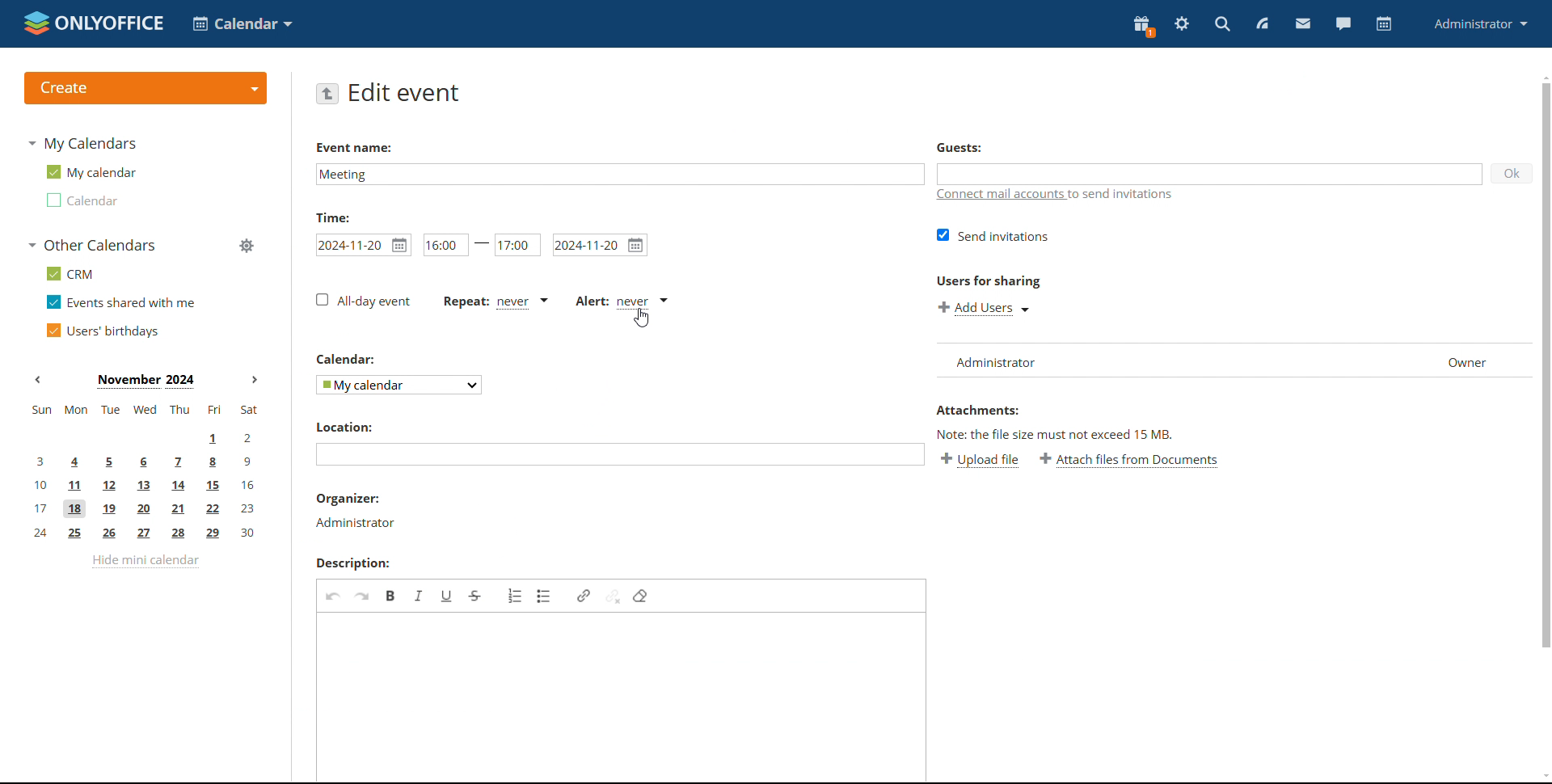 Image resolution: width=1552 pixels, height=784 pixels. What do you see at coordinates (1209, 174) in the screenshot?
I see `add guests` at bounding box center [1209, 174].